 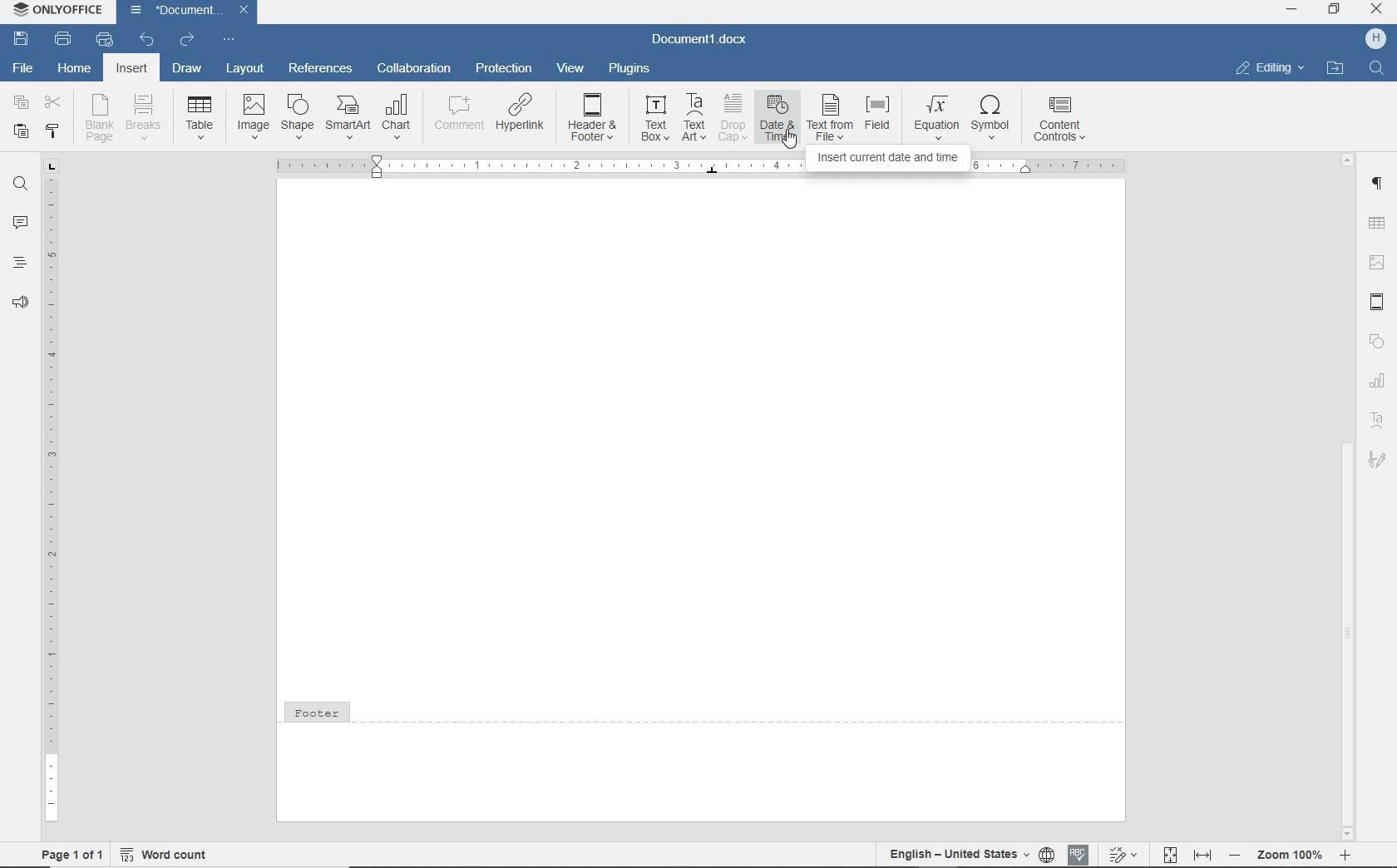 What do you see at coordinates (778, 119) in the screenshot?
I see `date & time` at bounding box center [778, 119].